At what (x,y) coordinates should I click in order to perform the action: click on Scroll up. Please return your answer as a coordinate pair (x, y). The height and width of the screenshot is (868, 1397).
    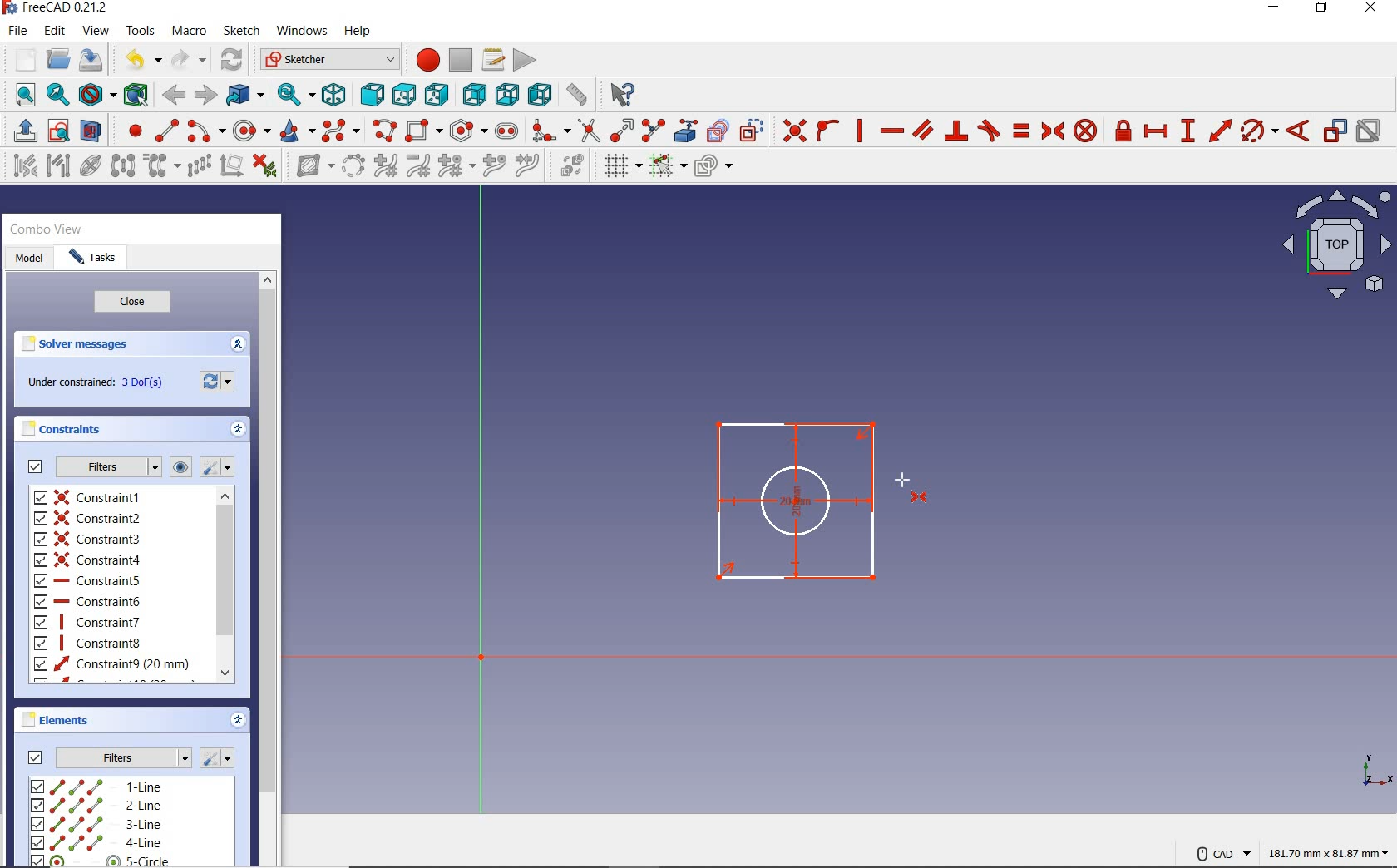
    Looking at the image, I should click on (269, 279).